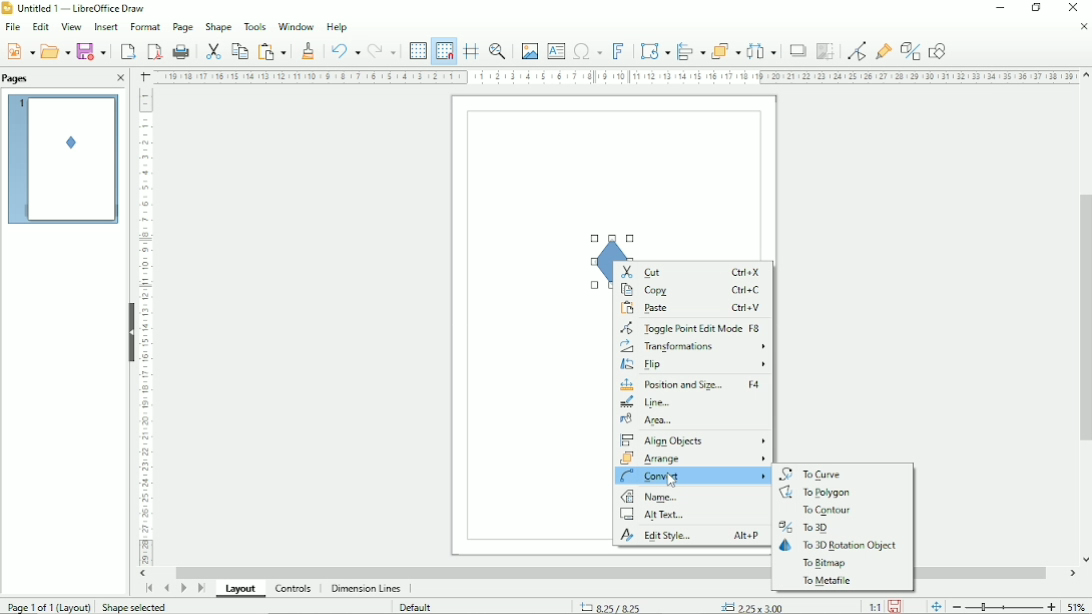  Describe the element at coordinates (309, 49) in the screenshot. I see `Clone formatting` at that location.